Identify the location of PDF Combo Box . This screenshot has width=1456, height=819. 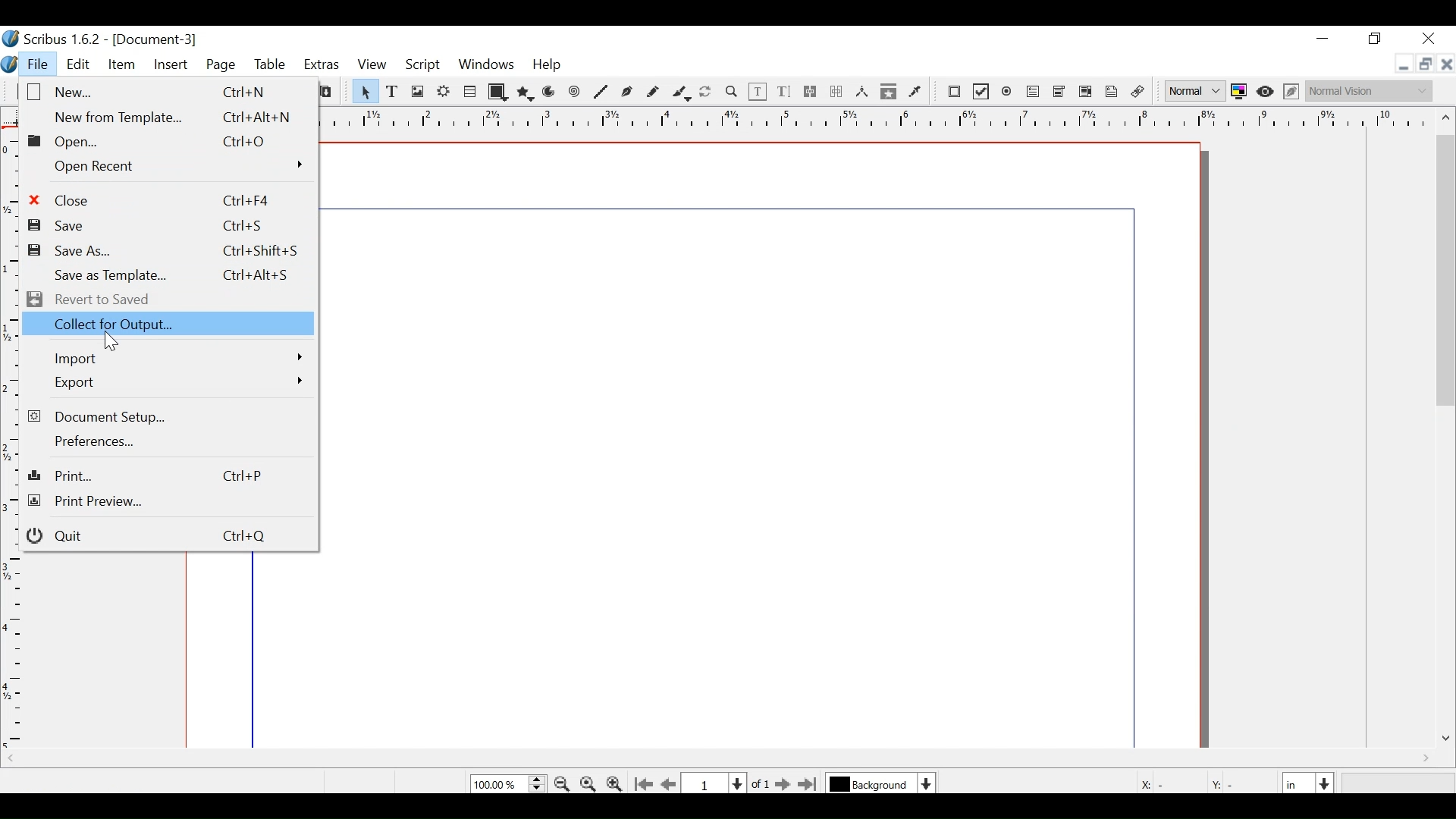
(1061, 93).